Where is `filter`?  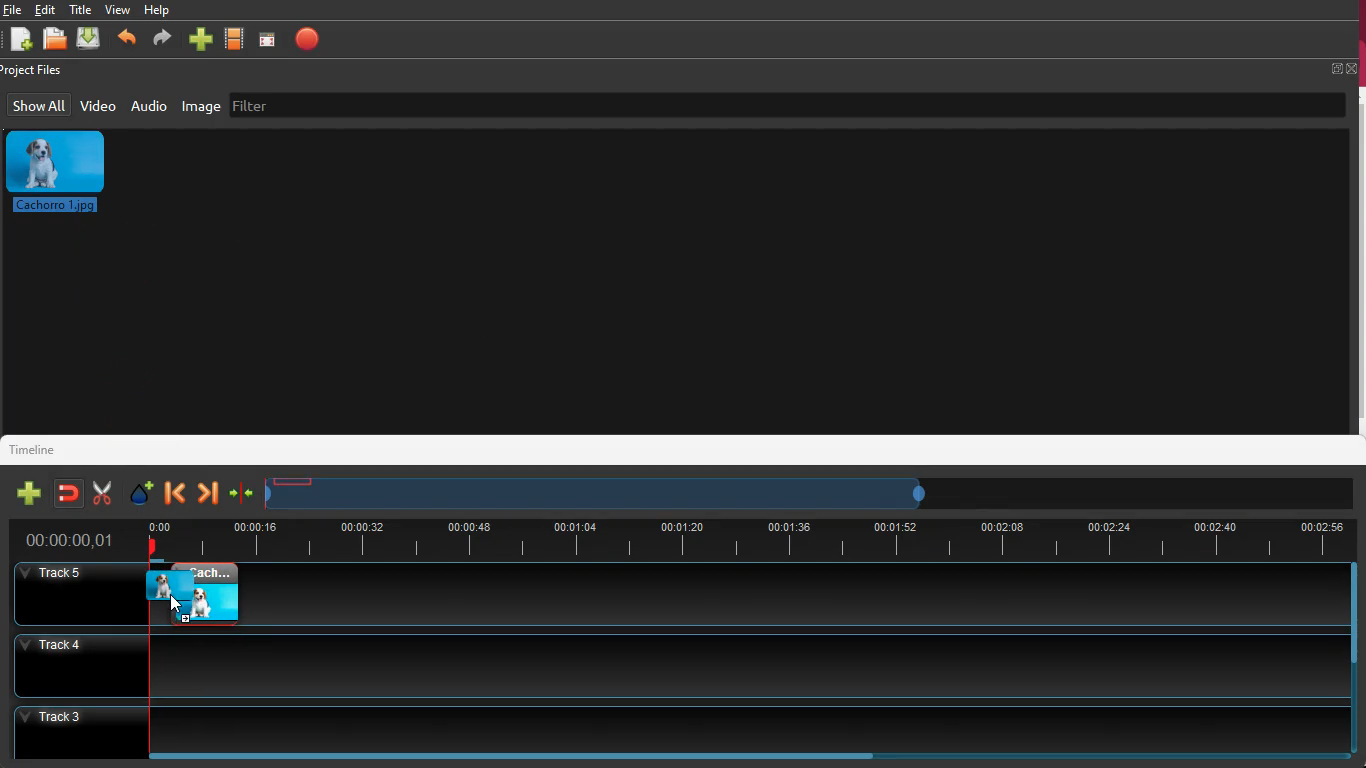
filter is located at coordinates (359, 103).